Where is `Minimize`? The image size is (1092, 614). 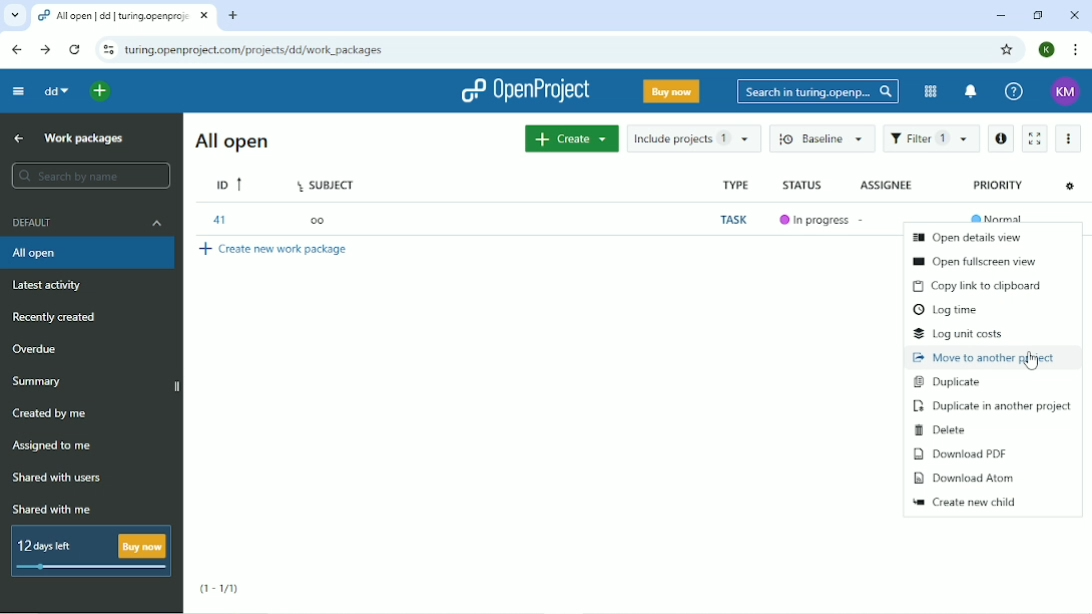 Minimize is located at coordinates (999, 16).